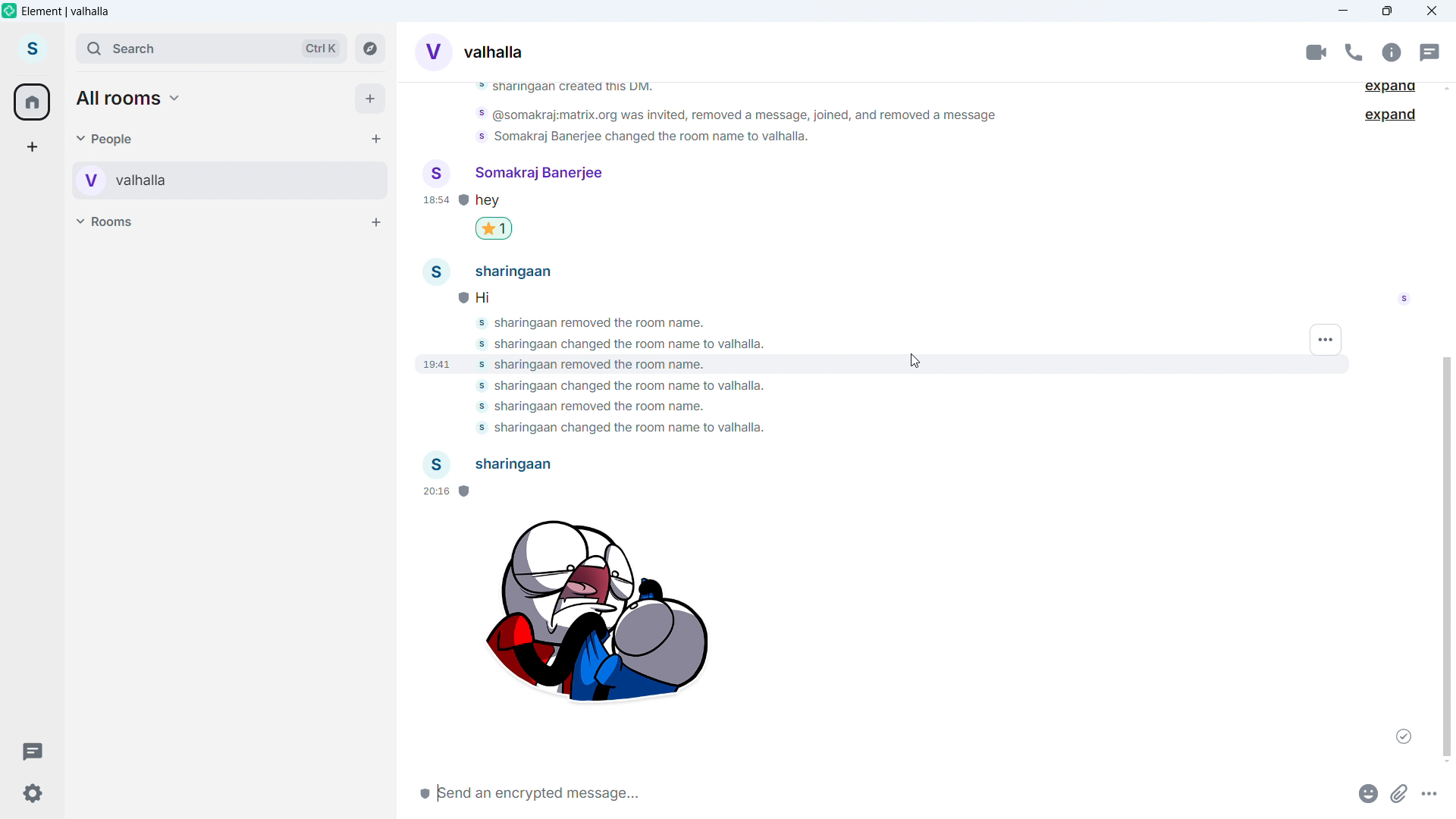  Describe the element at coordinates (130, 99) in the screenshot. I see `All rooms ` at that location.